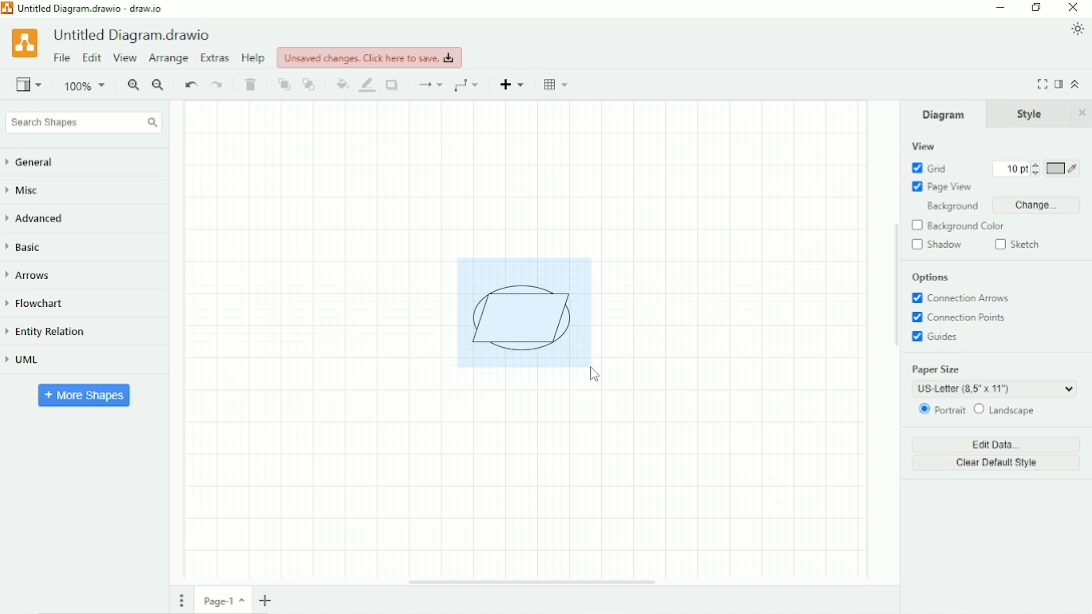 Image resolution: width=1092 pixels, height=614 pixels. Describe the element at coordinates (91, 59) in the screenshot. I see `Edit` at that location.